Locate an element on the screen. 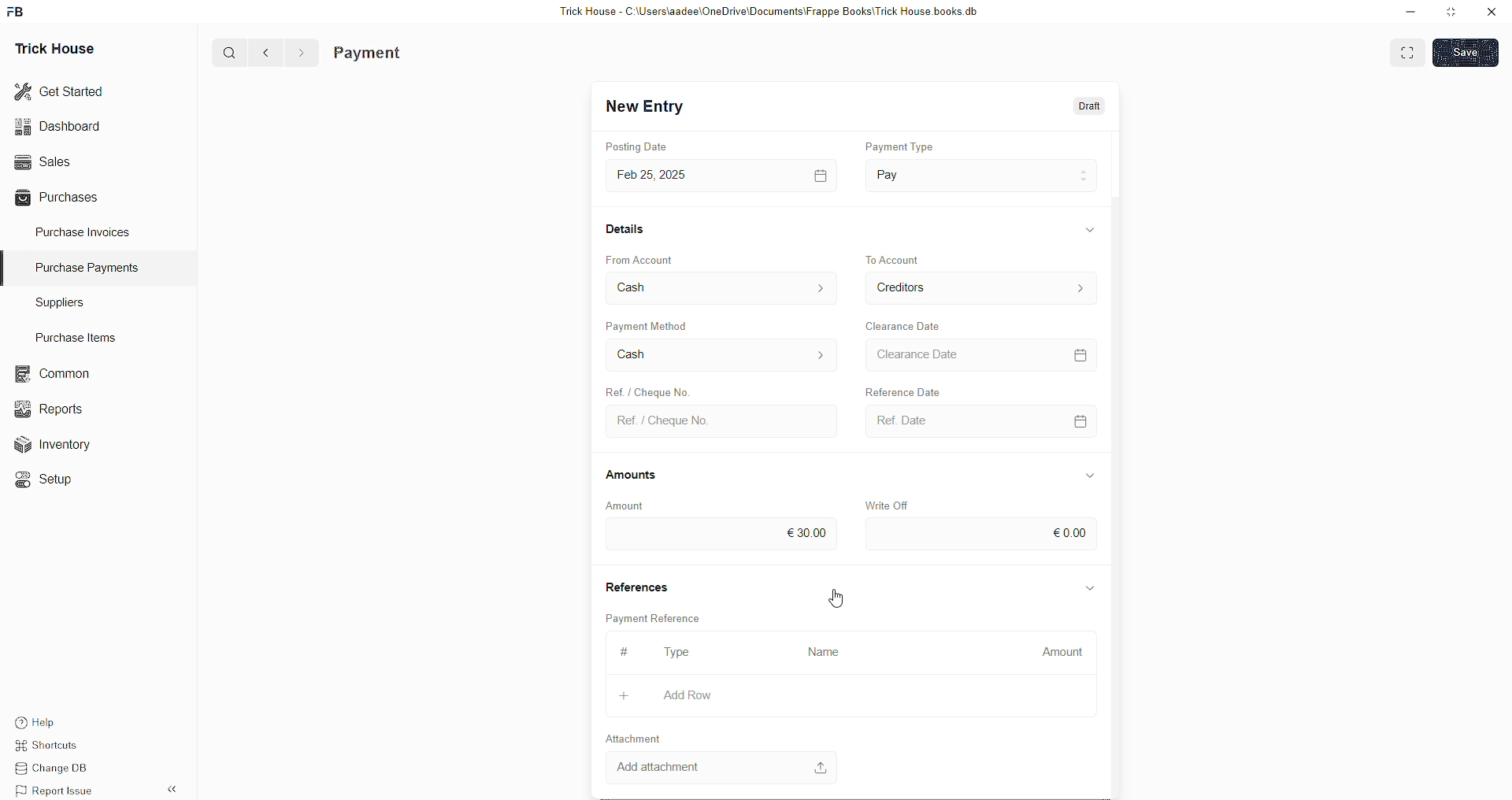 Image resolution: width=1512 pixels, height=800 pixels. > Clearance Date is located at coordinates (926, 354).